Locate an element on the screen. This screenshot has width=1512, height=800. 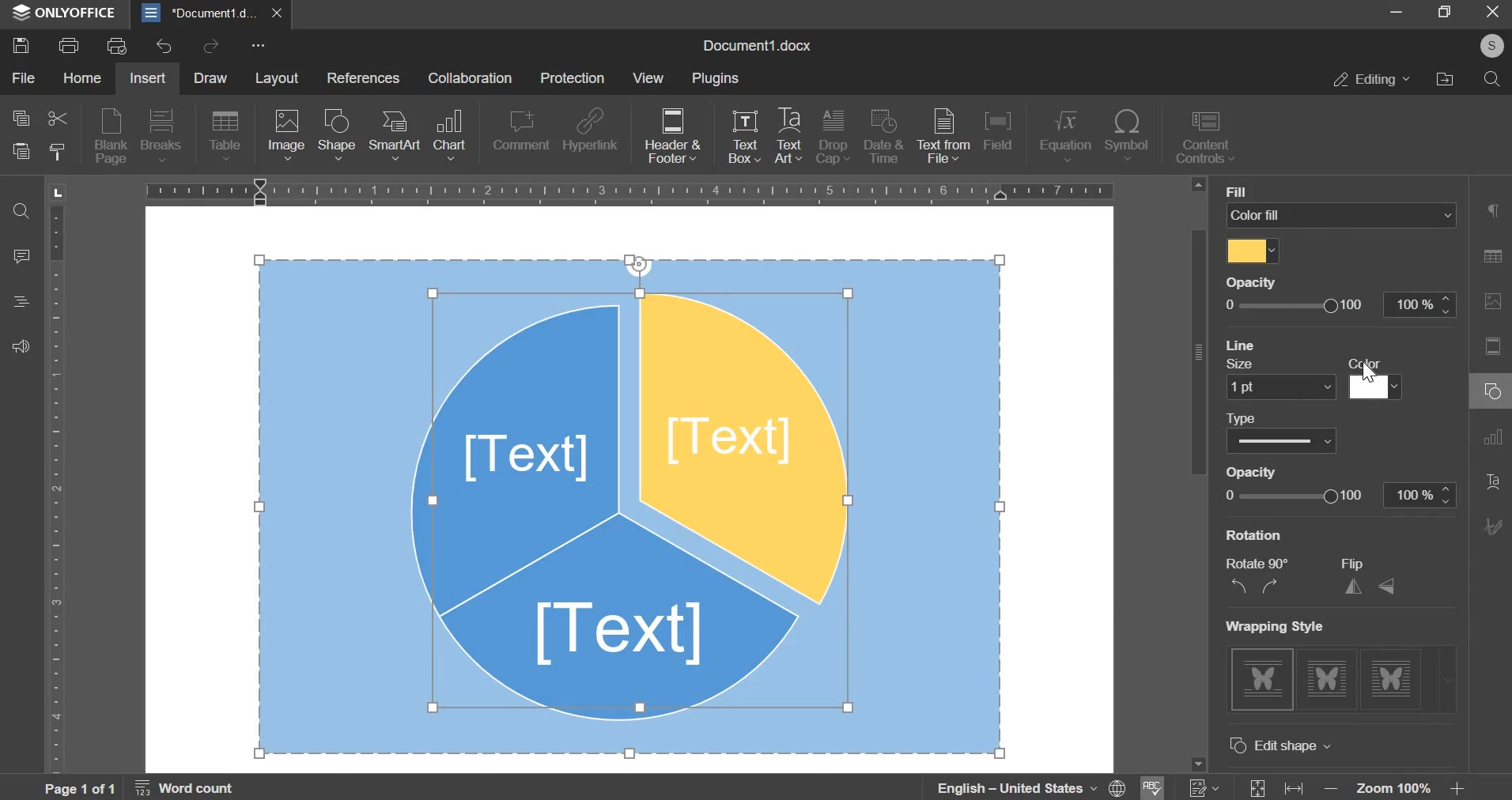
print is located at coordinates (68, 44).